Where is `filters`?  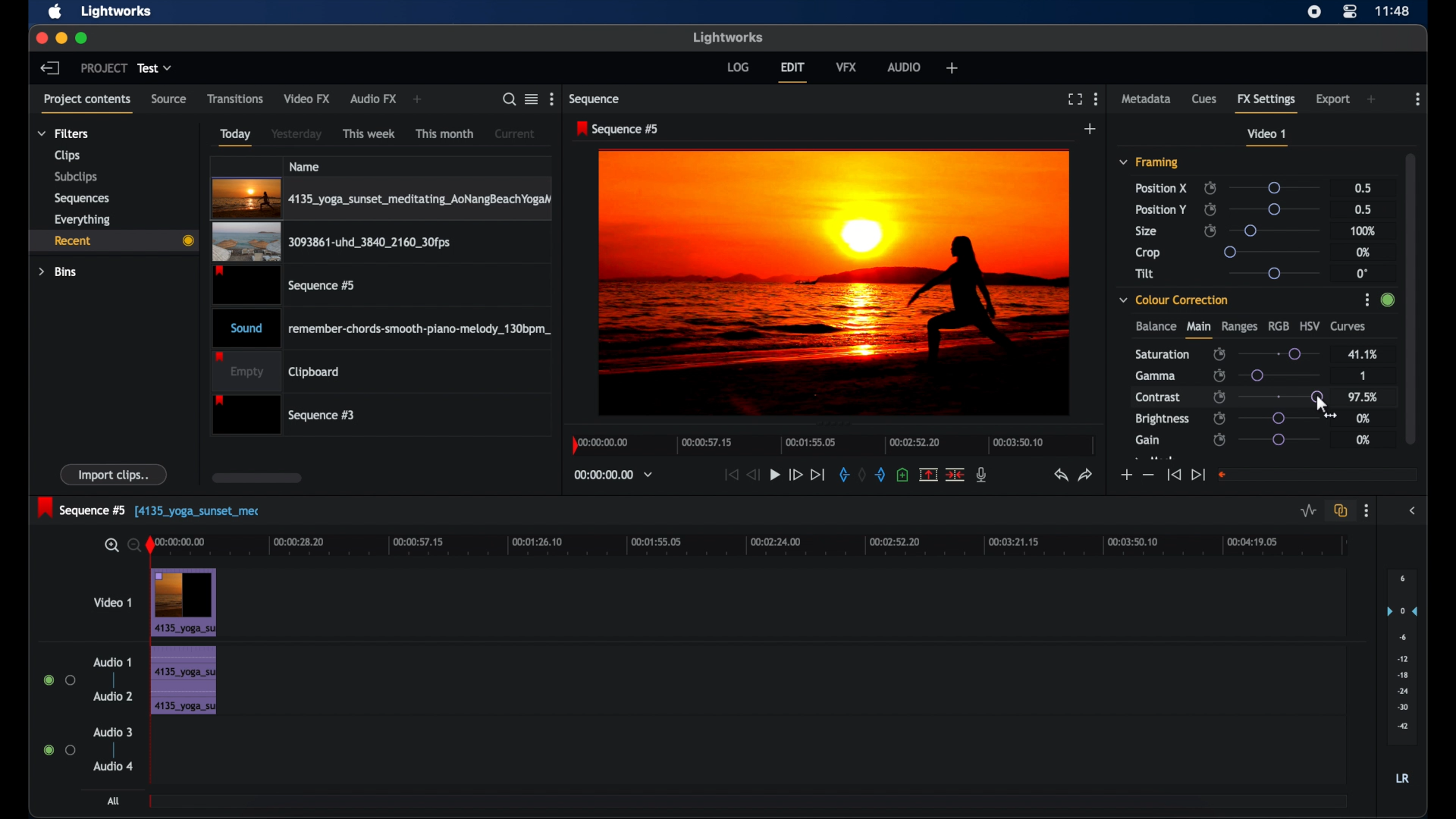
filters is located at coordinates (62, 133).